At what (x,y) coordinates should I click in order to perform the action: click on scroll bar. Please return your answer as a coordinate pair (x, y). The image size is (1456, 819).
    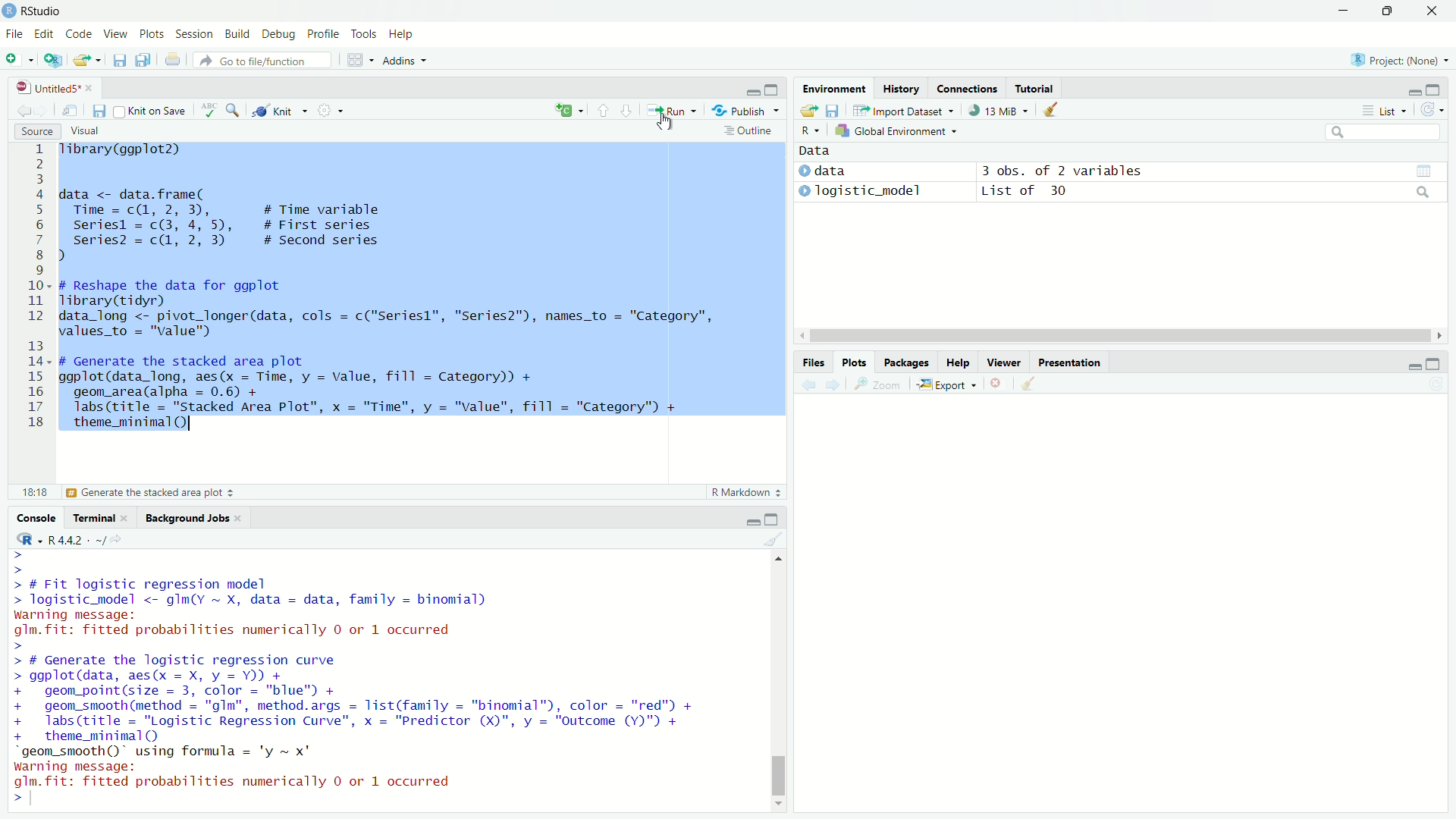
    Looking at the image, I should click on (1117, 337).